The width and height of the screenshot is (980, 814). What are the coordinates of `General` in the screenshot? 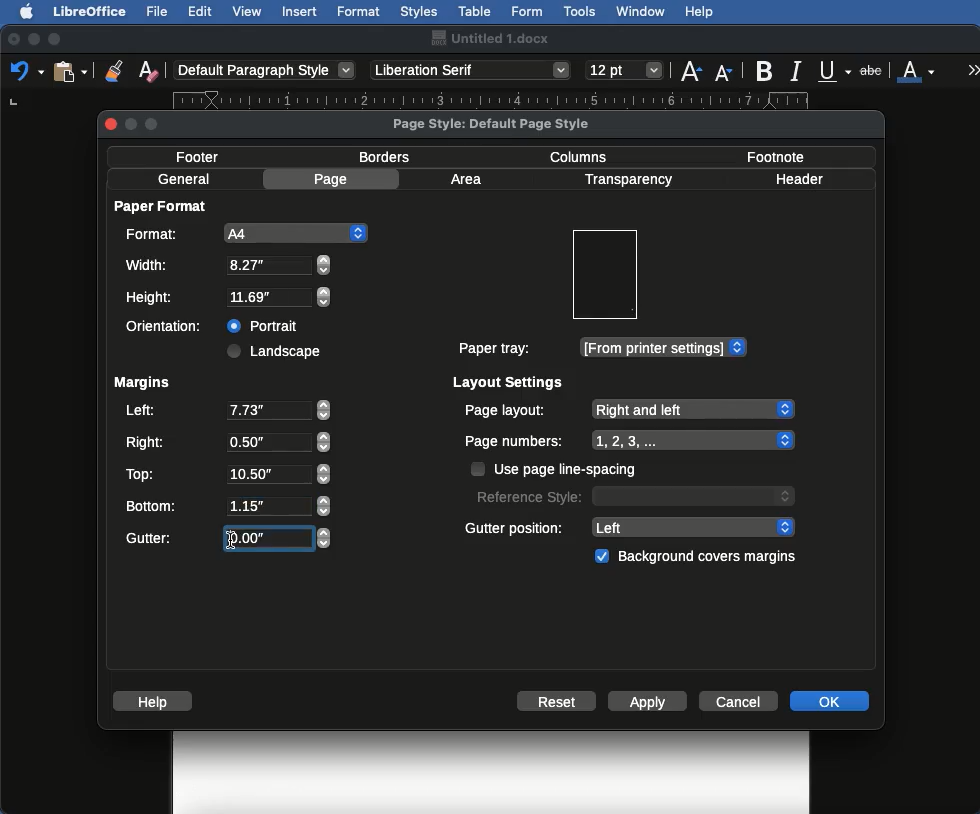 It's located at (184, 179).